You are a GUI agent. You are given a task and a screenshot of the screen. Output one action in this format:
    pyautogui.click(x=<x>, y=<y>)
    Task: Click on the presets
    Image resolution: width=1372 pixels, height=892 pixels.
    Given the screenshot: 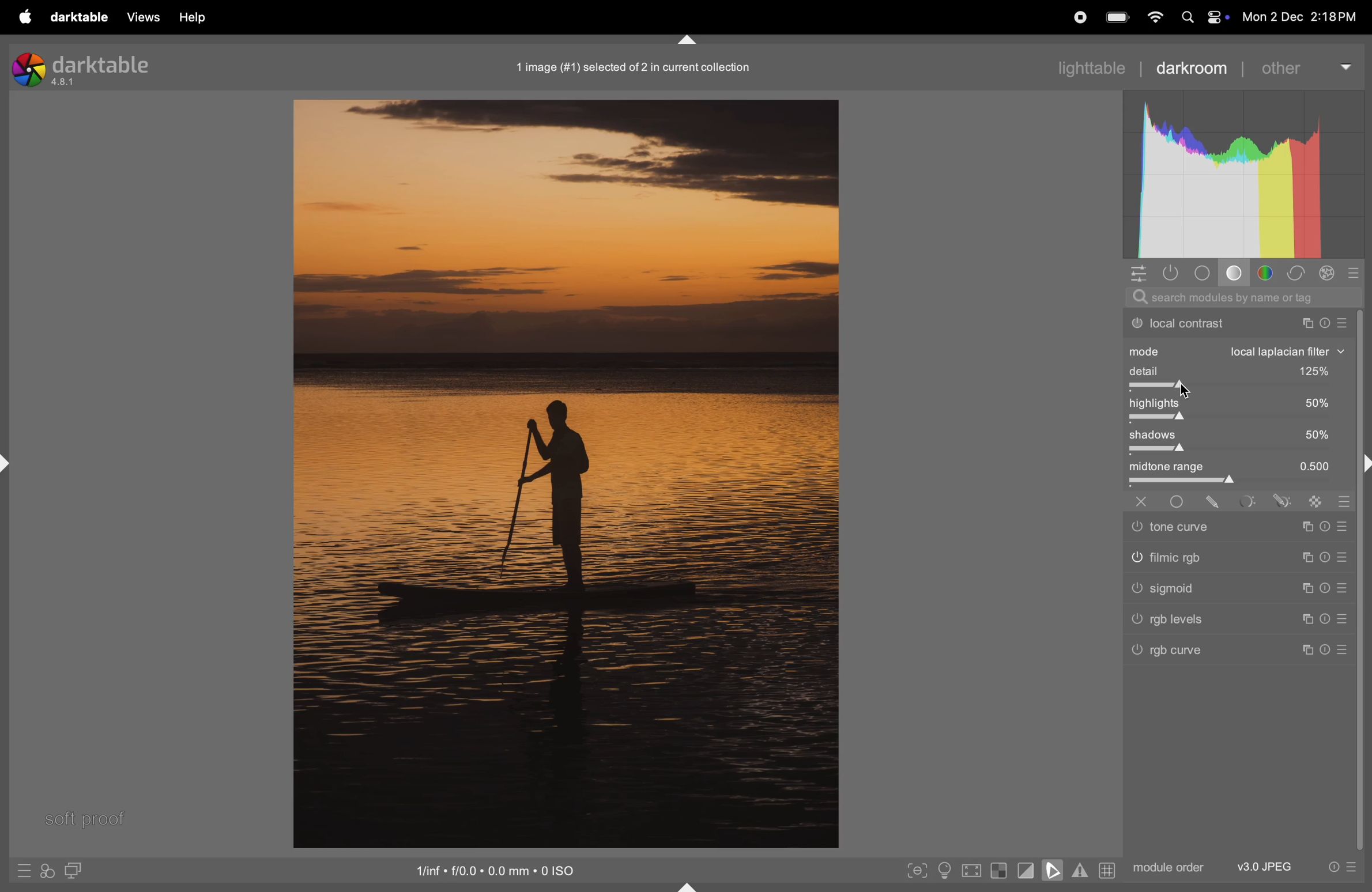 What is the action you would take?
    pyautogui.click(x=1342, y=868)
    